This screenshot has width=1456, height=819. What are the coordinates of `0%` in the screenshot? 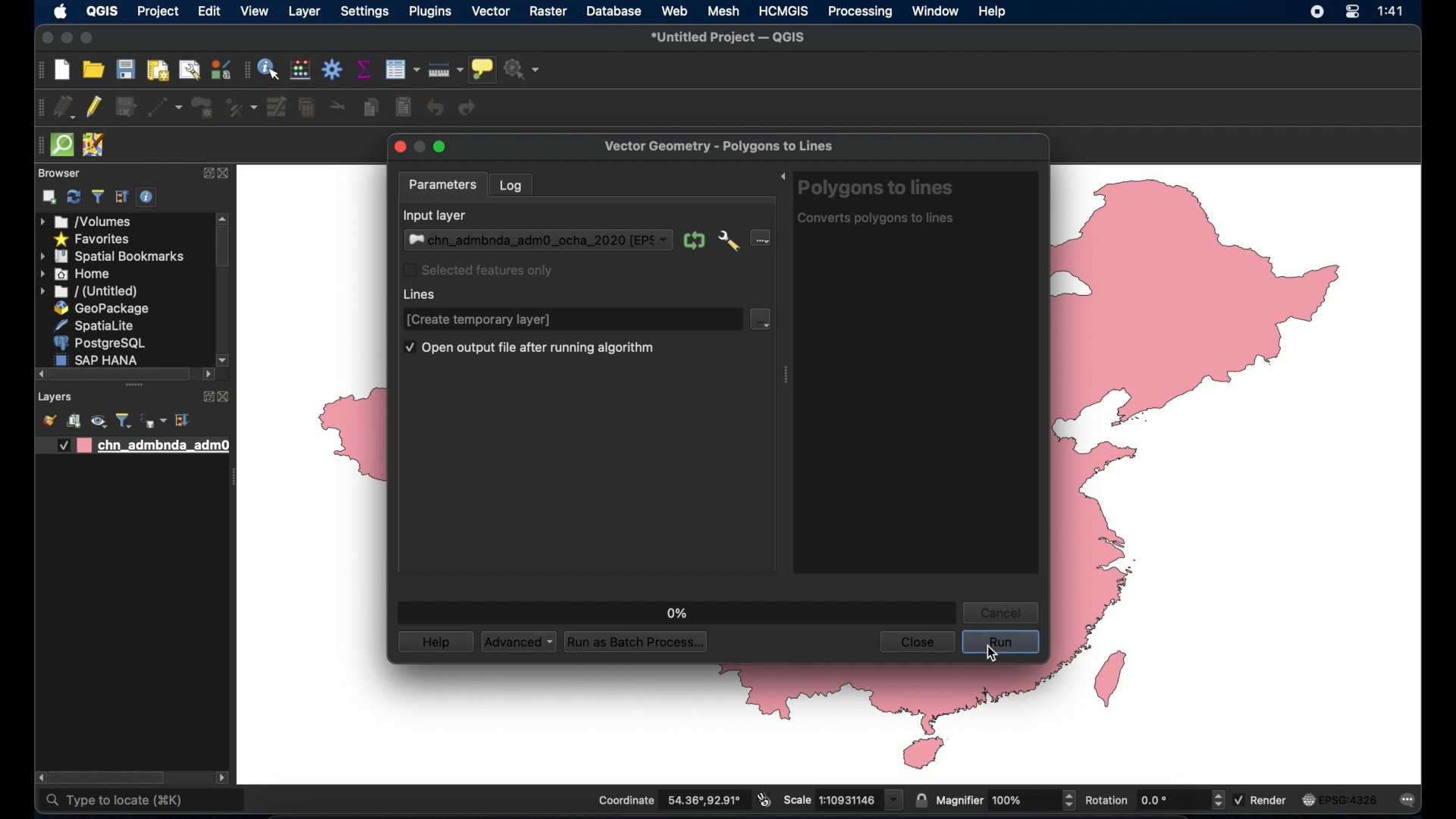 It's located at (677, 612).